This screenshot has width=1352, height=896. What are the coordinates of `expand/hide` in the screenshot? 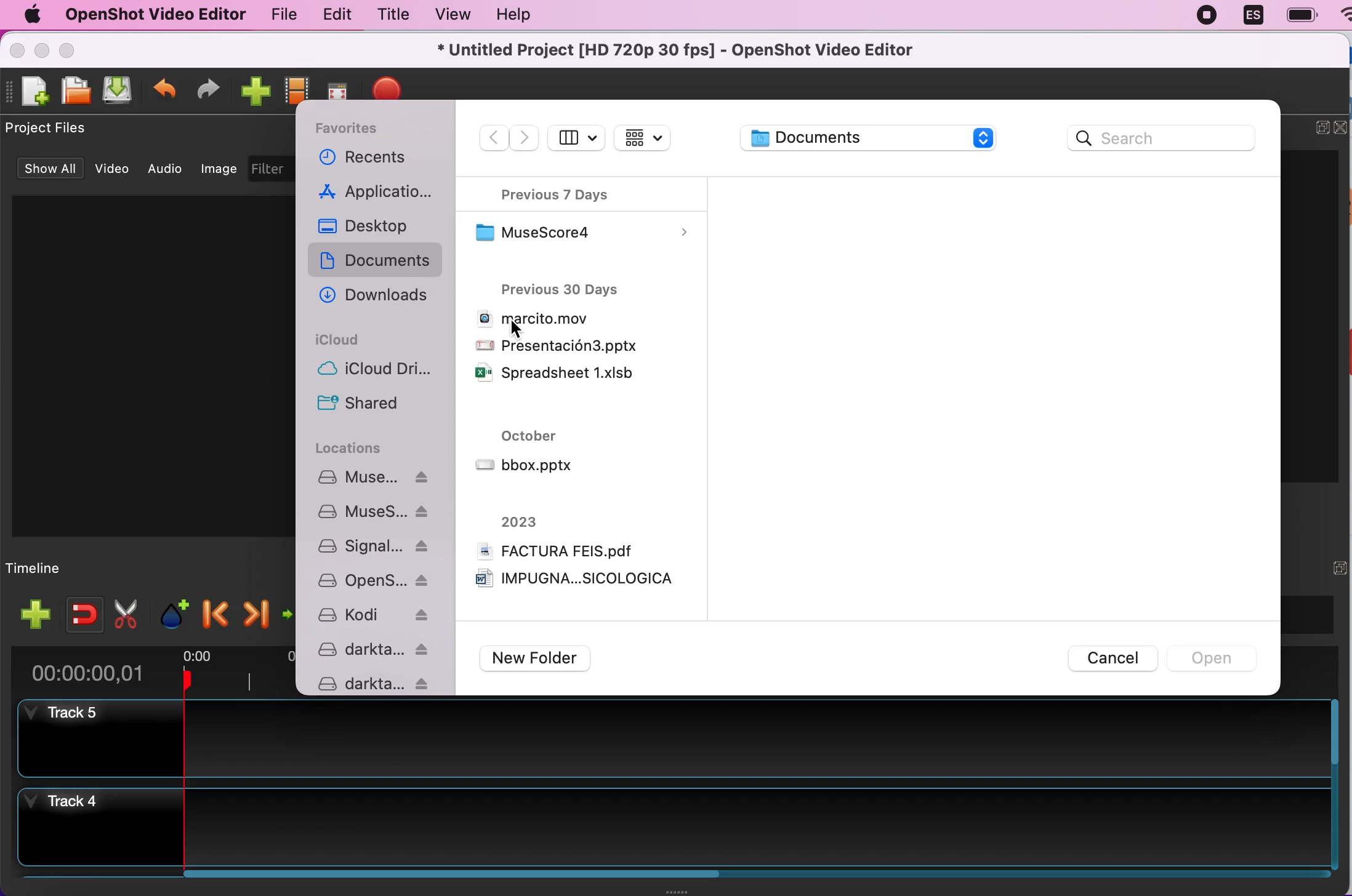 It's located at (1316, 126).